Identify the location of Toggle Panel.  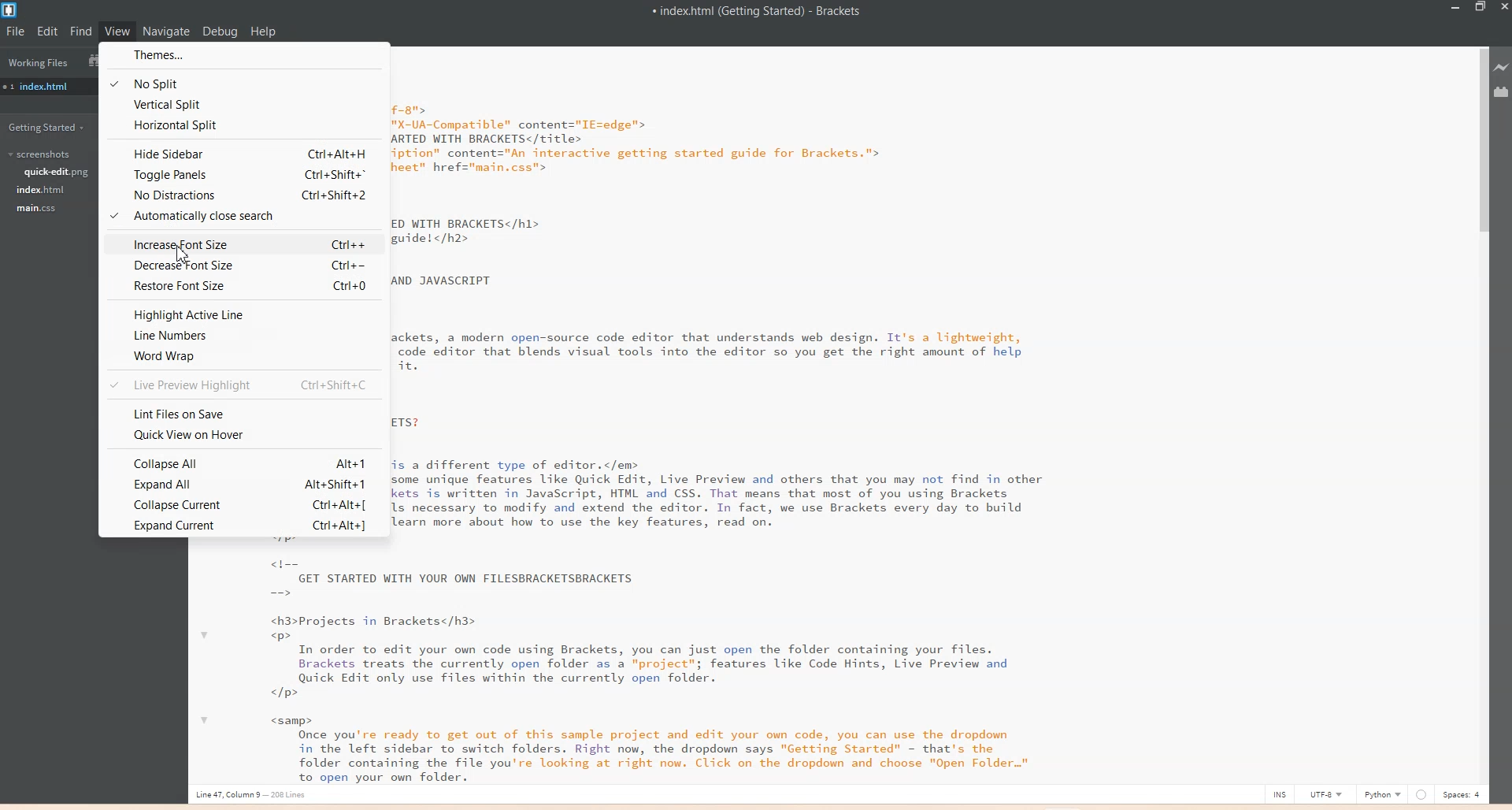
(243, 175).